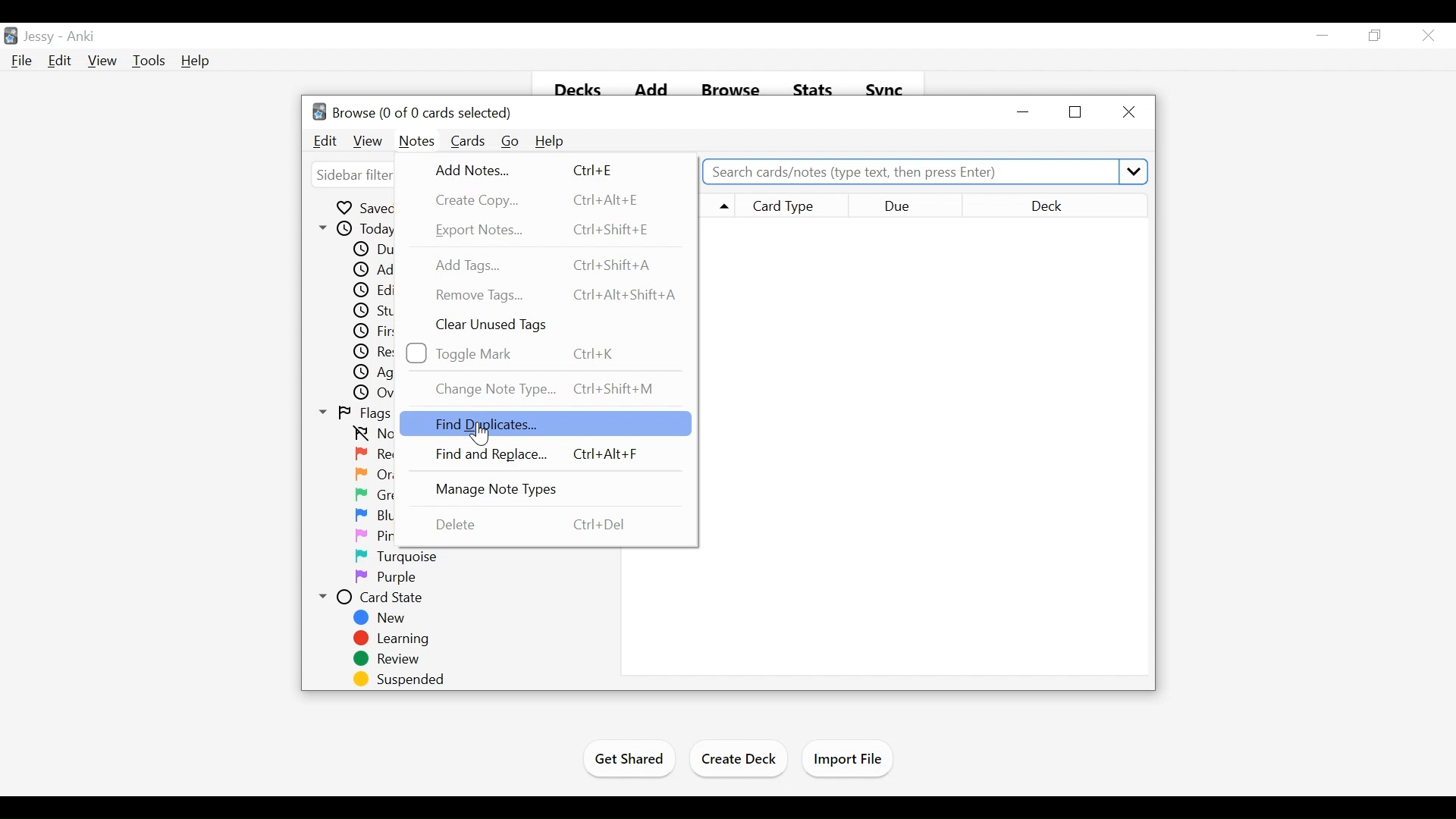 The image size is (1456, 819). I want to click on Export Notes, so click(548, 230).